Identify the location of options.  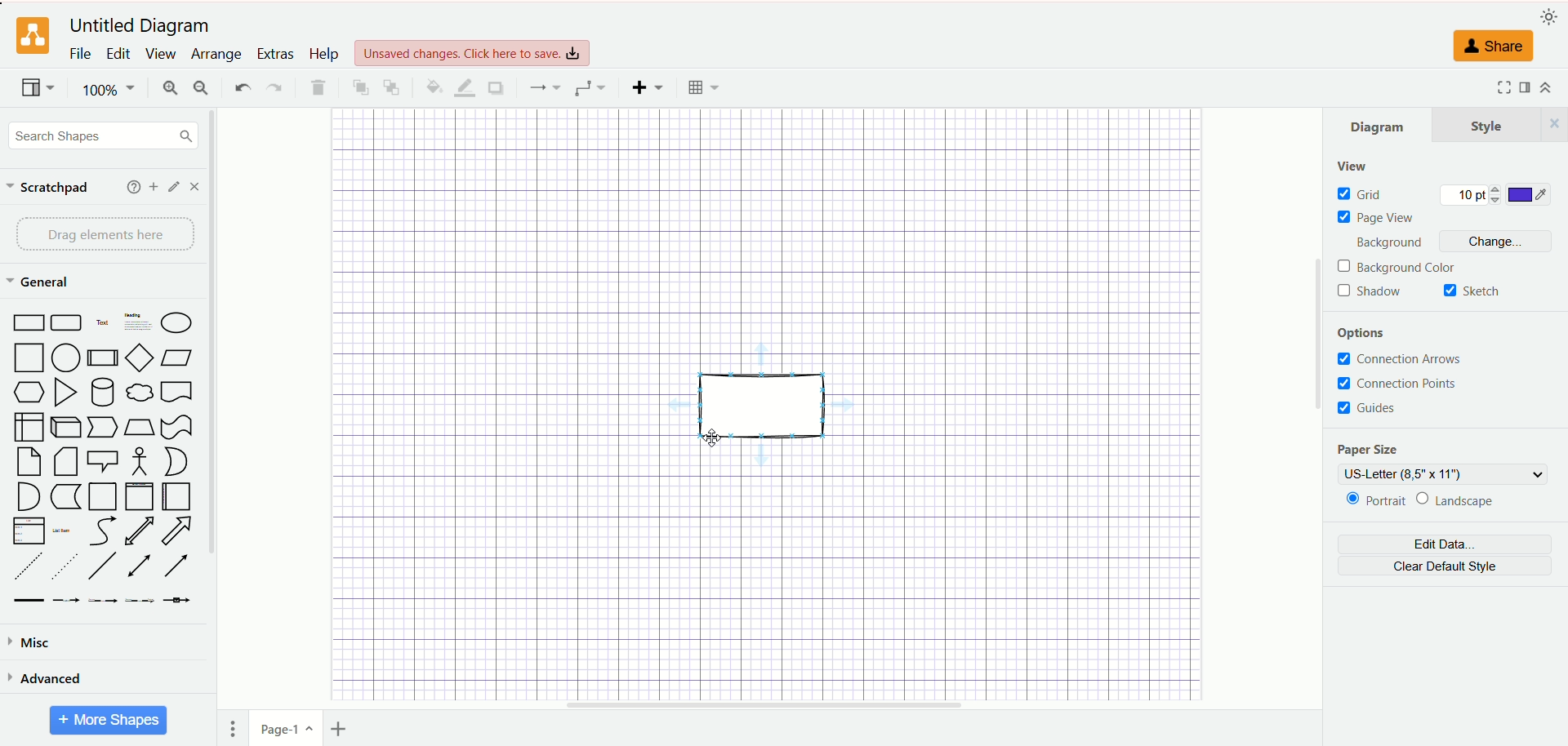
(1363, 331).